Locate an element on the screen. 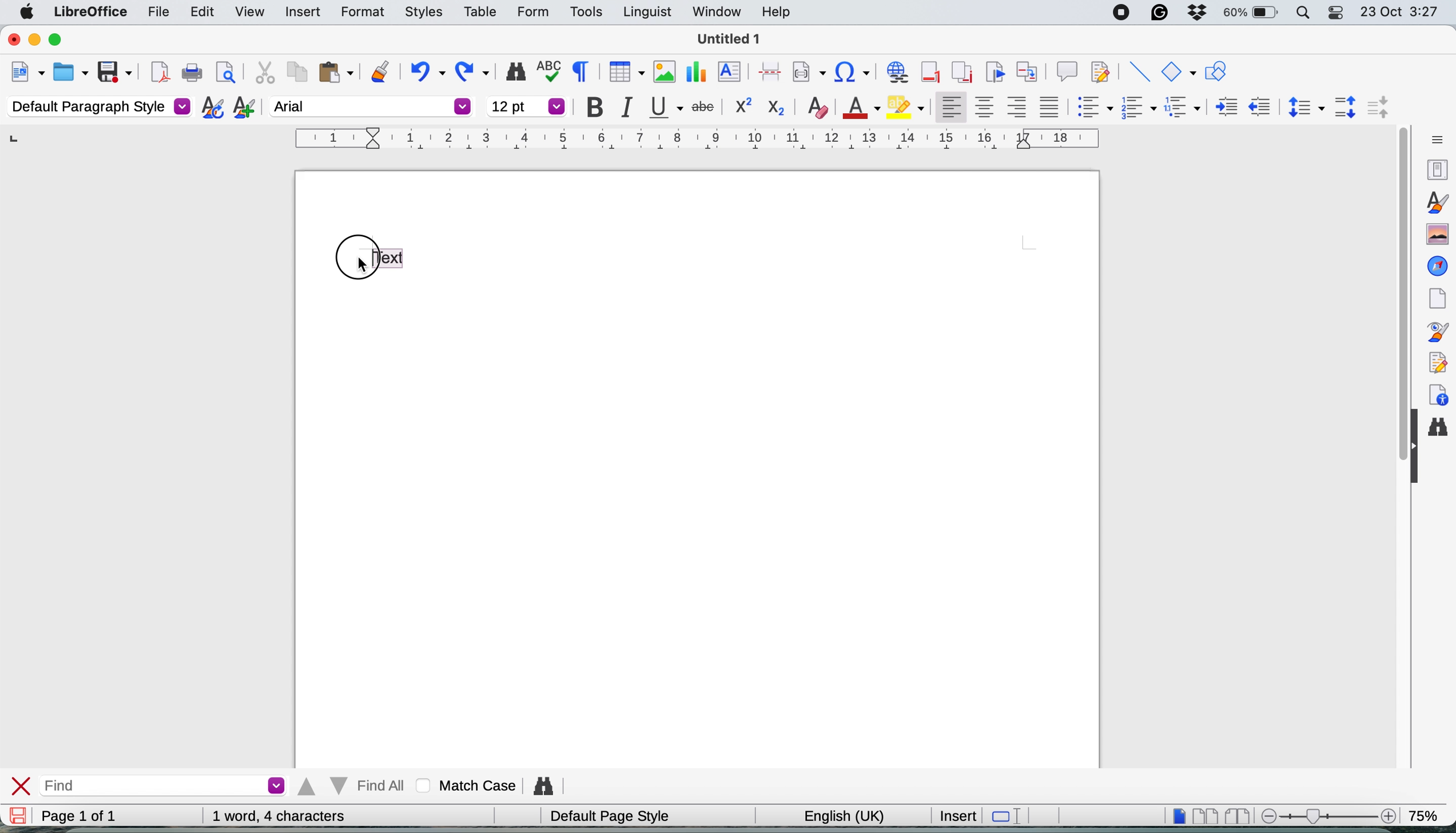 This screenshot has width=1456, height=833. spelling is located at coordinates (547, 70).